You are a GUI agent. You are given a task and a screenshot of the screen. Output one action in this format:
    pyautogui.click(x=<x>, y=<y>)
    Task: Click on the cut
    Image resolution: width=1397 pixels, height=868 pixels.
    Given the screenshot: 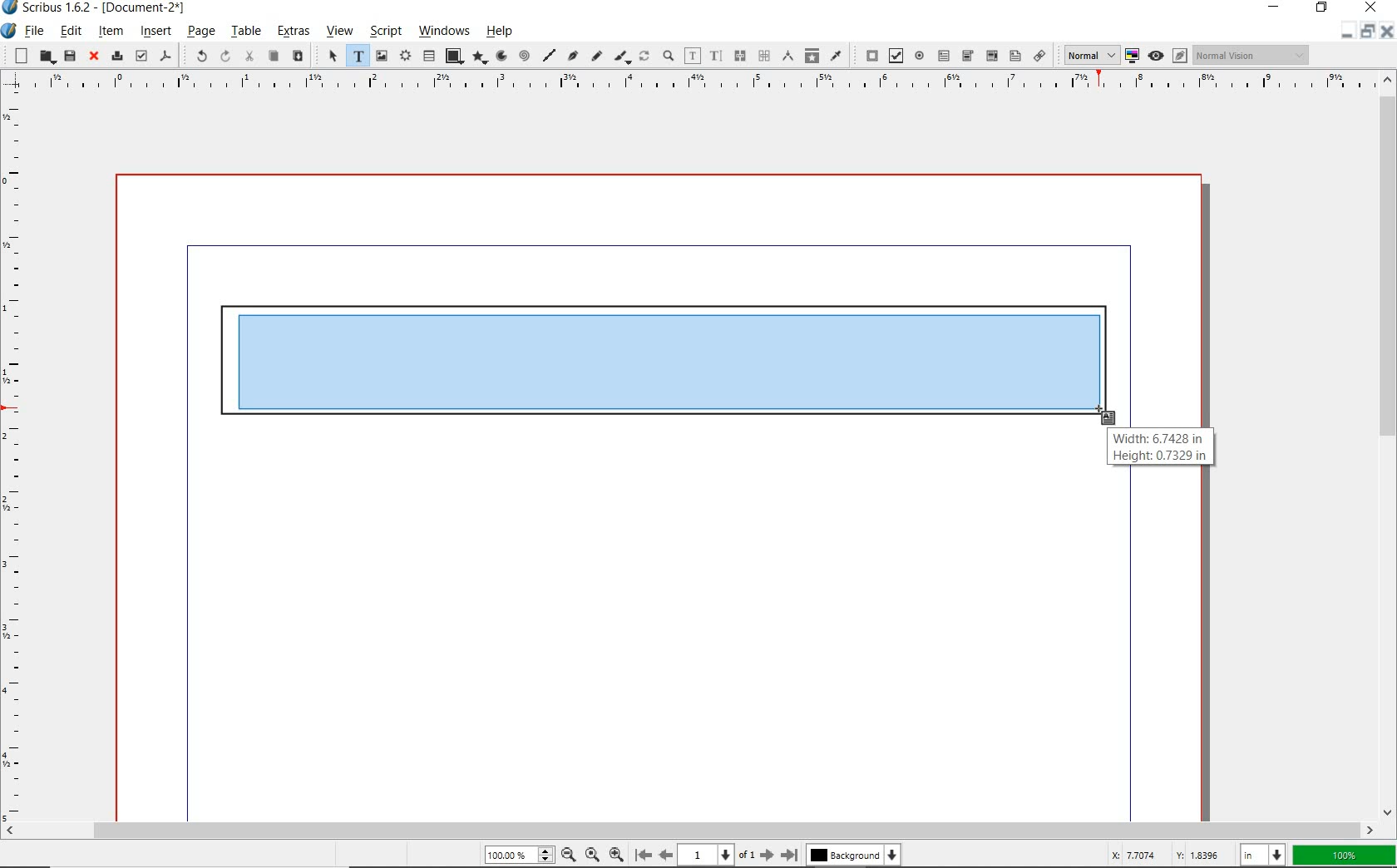 What is the action you would take?
    pyautogui.click(x=249, y=57)
    